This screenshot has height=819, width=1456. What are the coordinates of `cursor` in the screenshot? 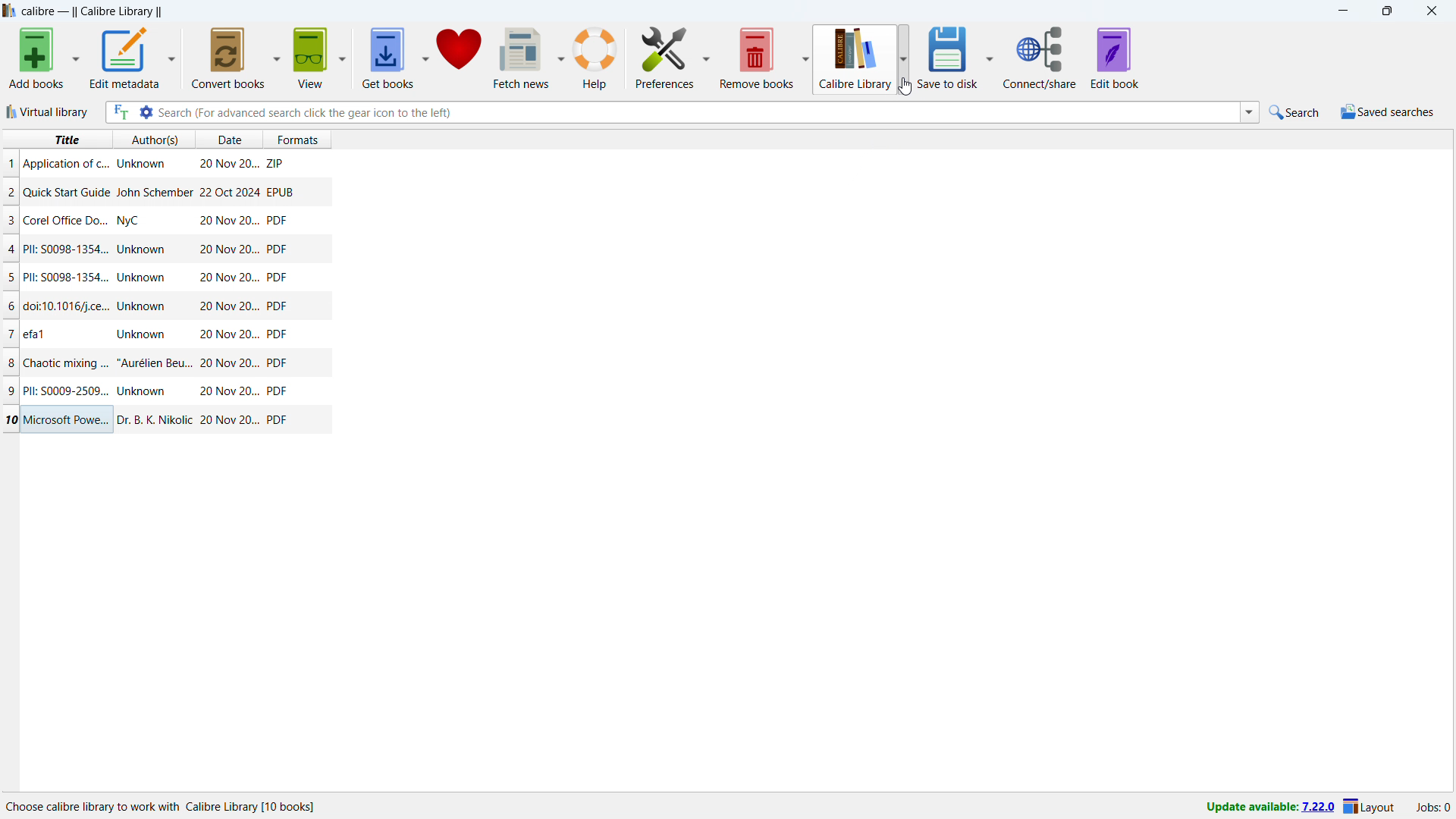 It's located at (905, 86).